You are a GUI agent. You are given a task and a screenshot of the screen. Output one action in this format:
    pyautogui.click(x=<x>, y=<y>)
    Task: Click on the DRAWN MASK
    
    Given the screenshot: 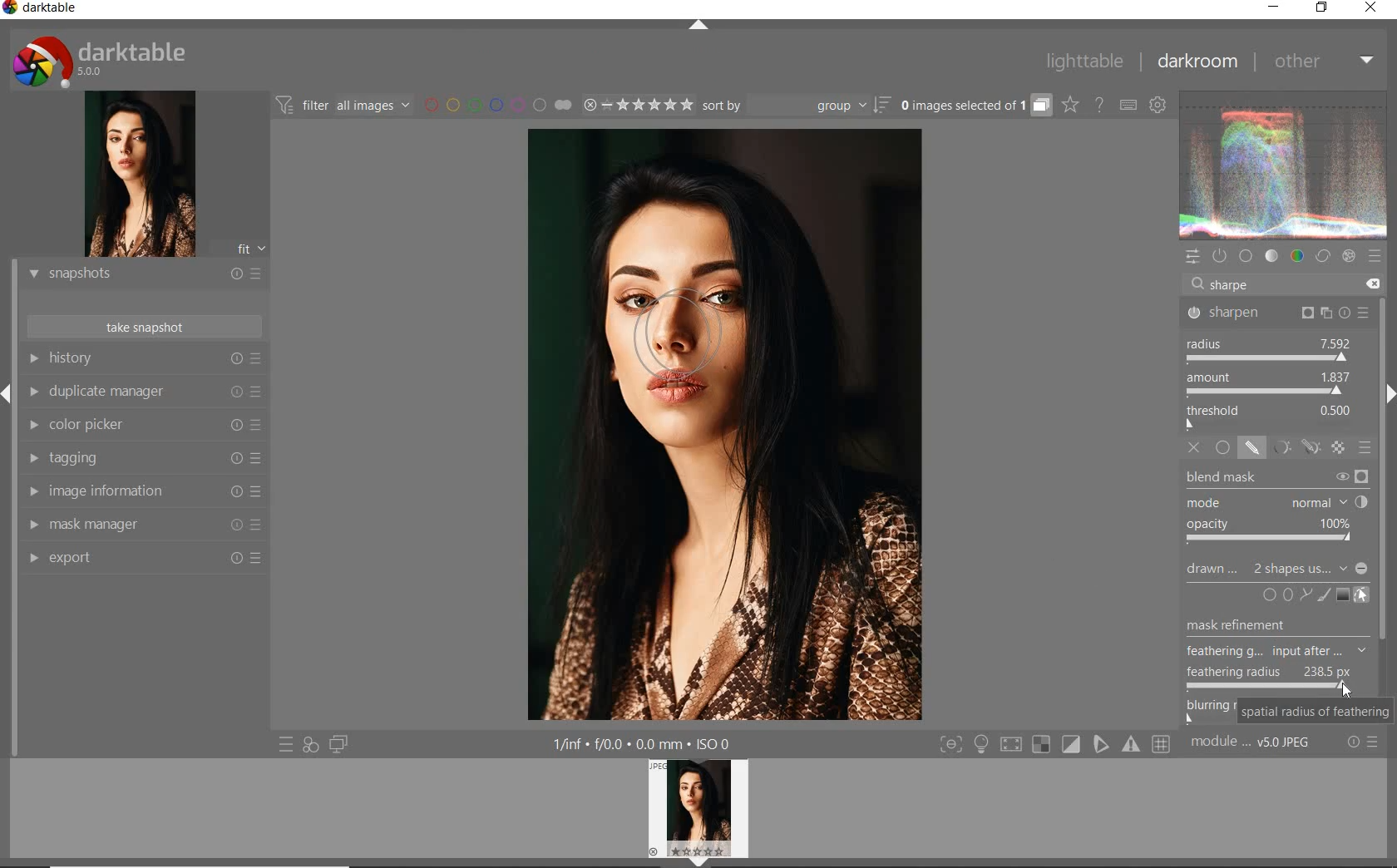 What is the action you would take?
    pyautogui.click(x=702, y=353)
    